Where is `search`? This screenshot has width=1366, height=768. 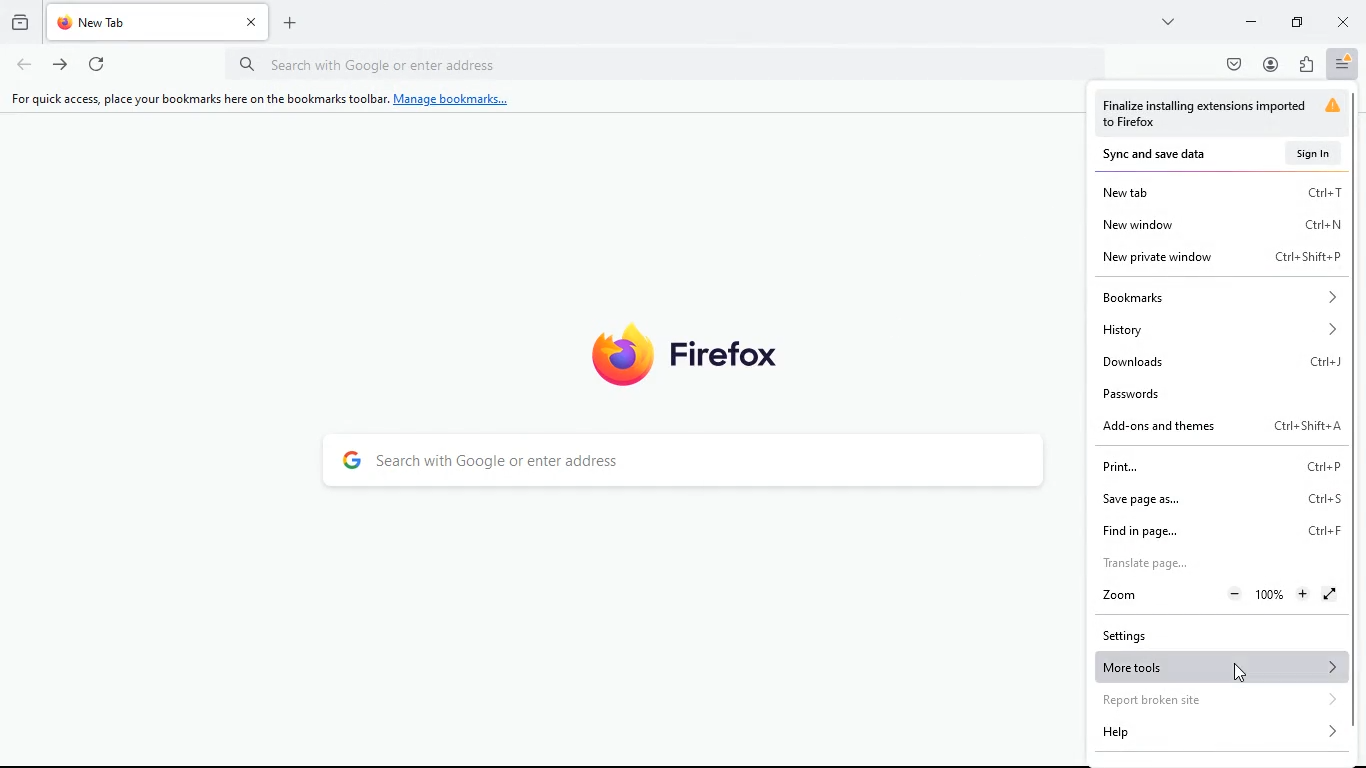 search is located at coordinates (686, 461).